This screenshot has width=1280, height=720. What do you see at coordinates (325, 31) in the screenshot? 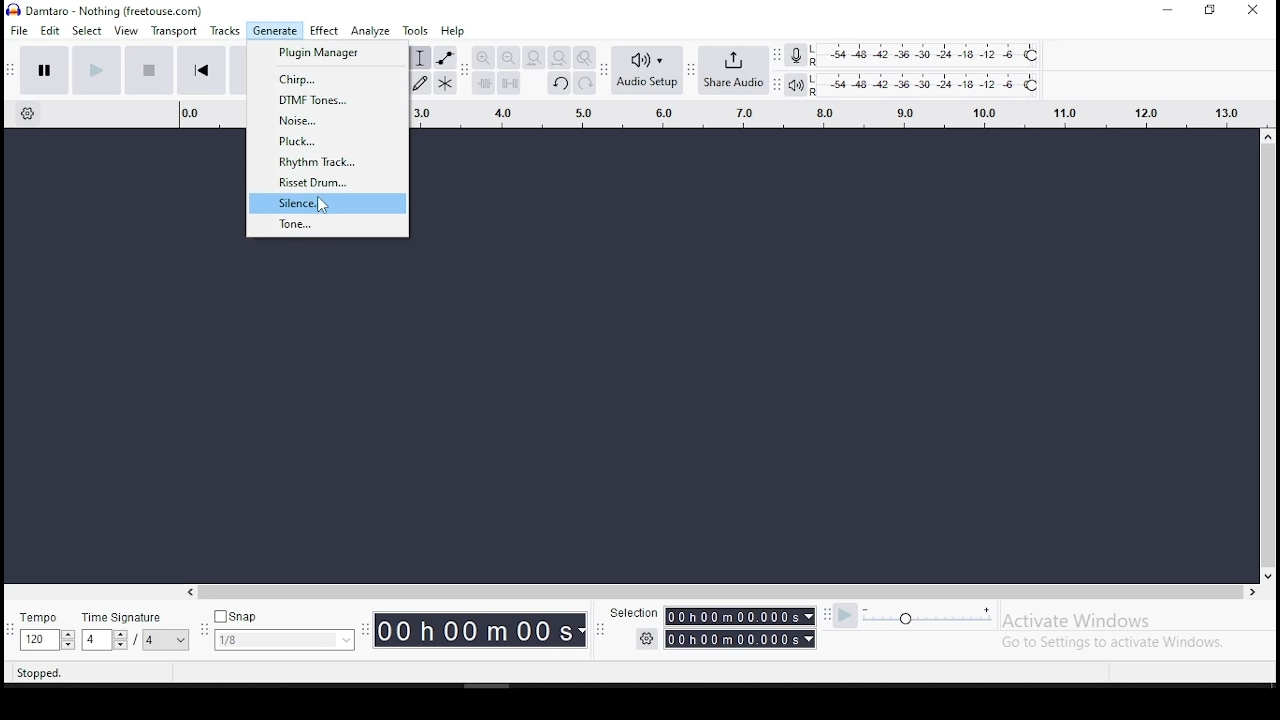
I see `effect` at bounding box center [325, 31].